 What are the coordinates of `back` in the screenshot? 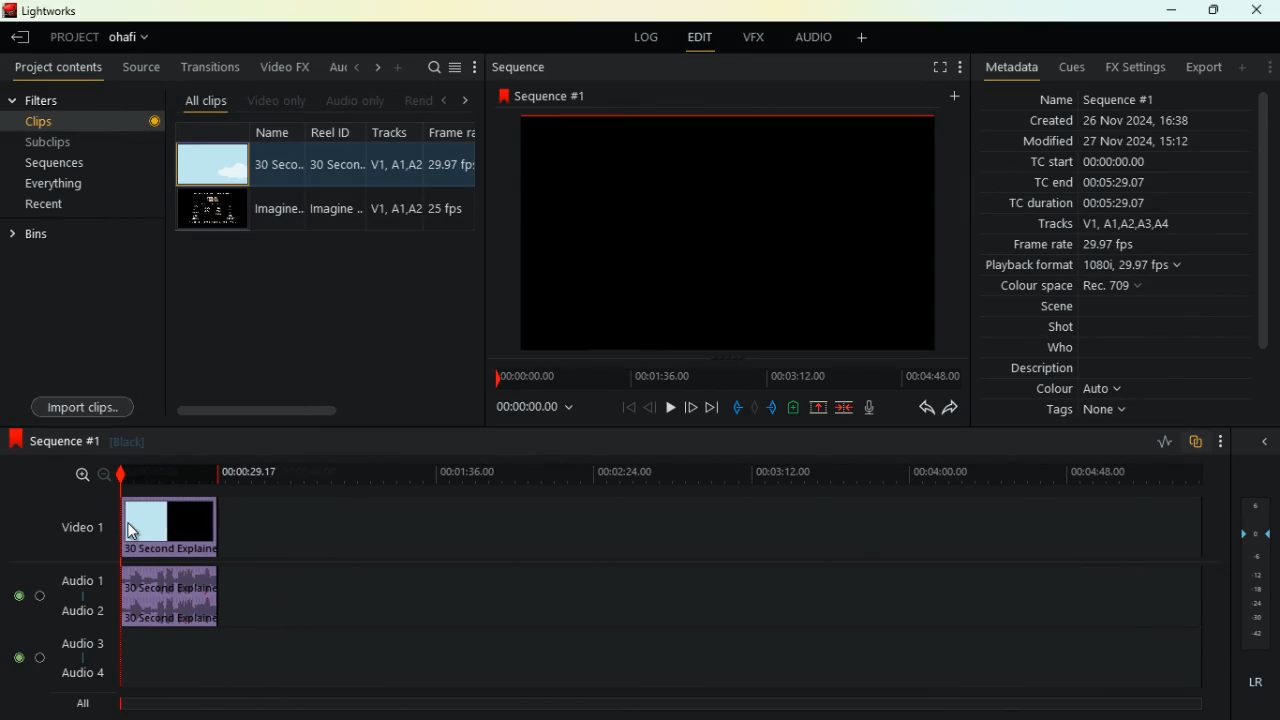 It's located at (926, 409).